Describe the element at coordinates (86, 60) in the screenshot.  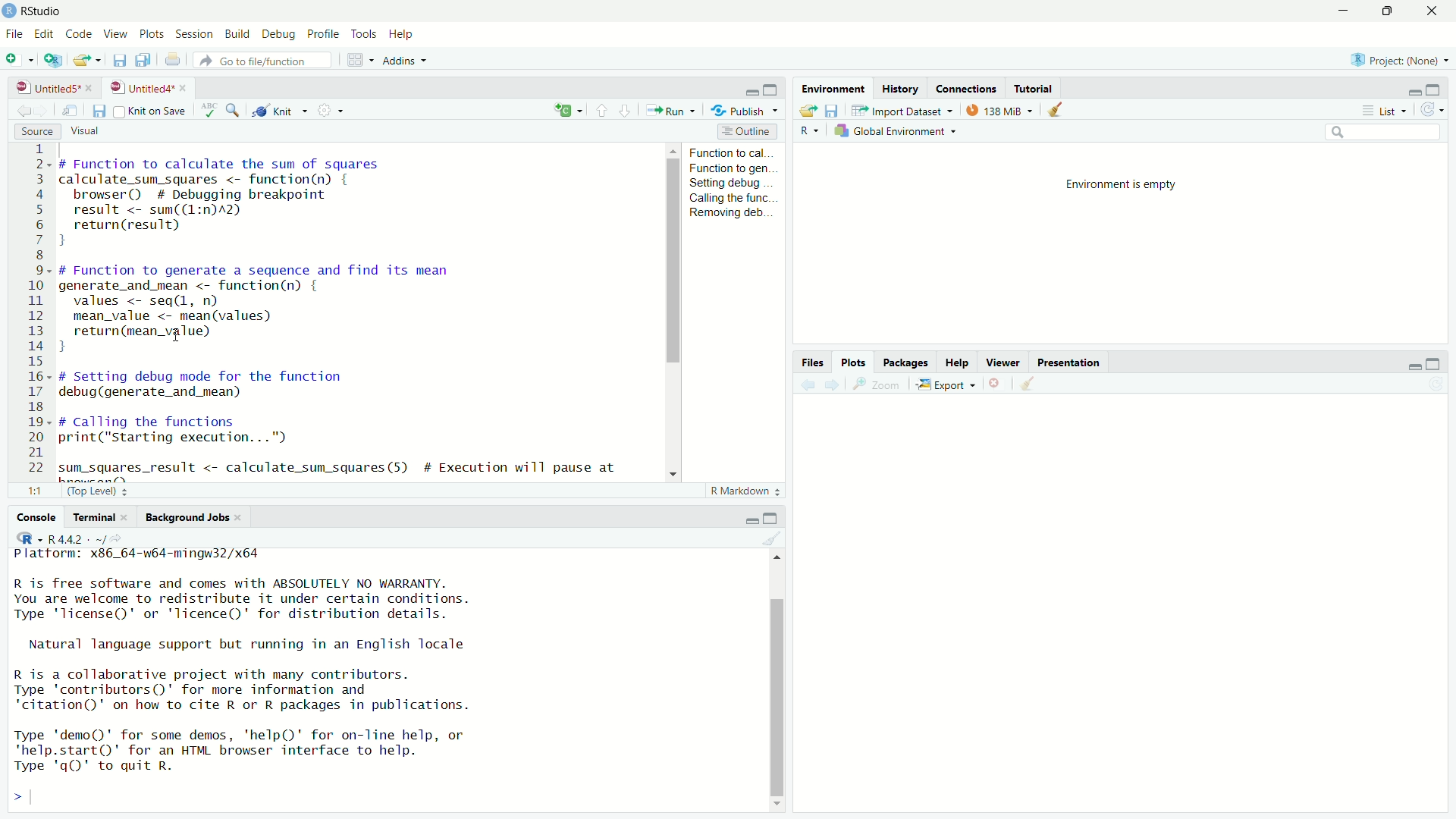
I see `open an existing file` at that location.